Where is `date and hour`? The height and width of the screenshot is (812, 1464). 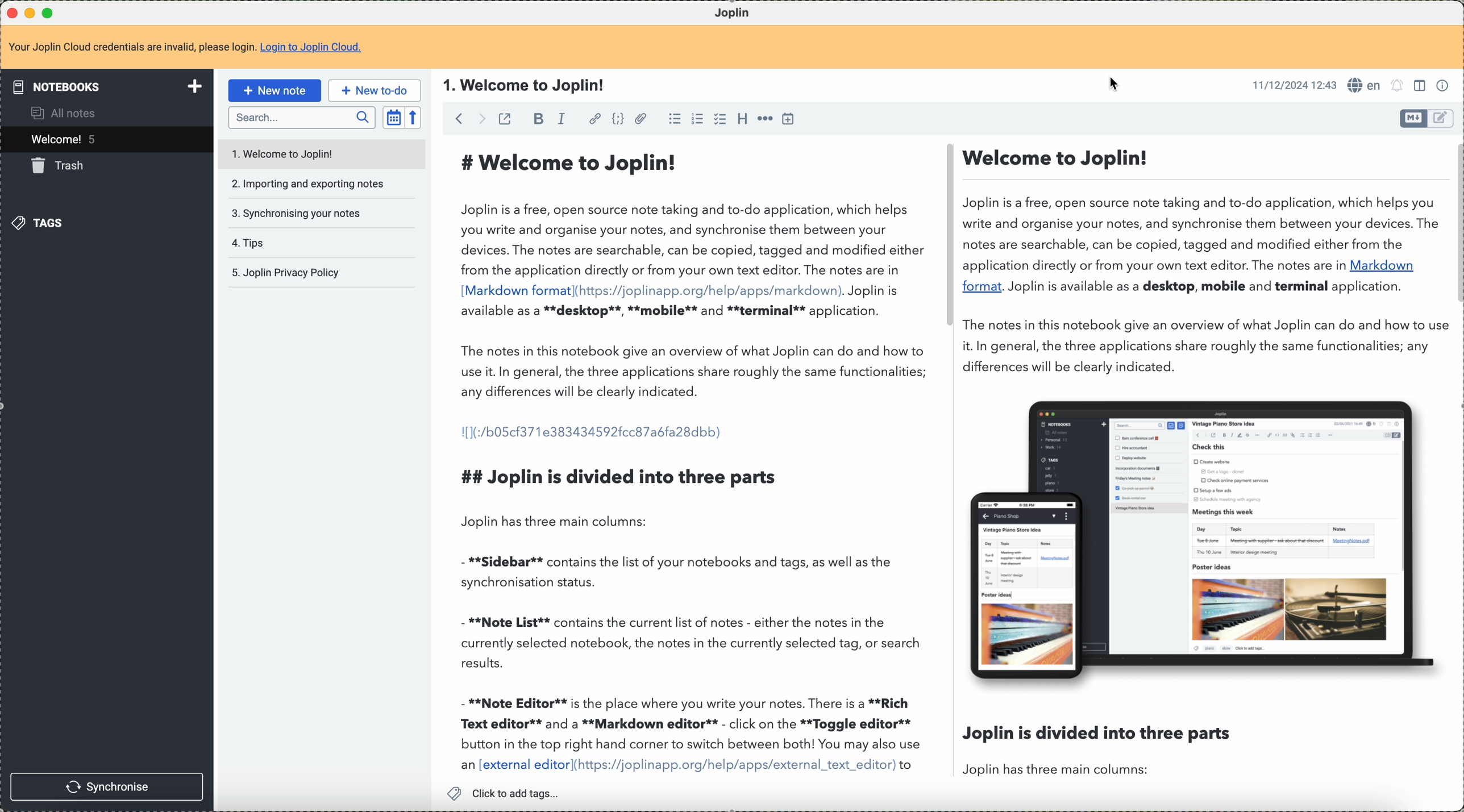
date and hour is located at coordinates (1293, 84).